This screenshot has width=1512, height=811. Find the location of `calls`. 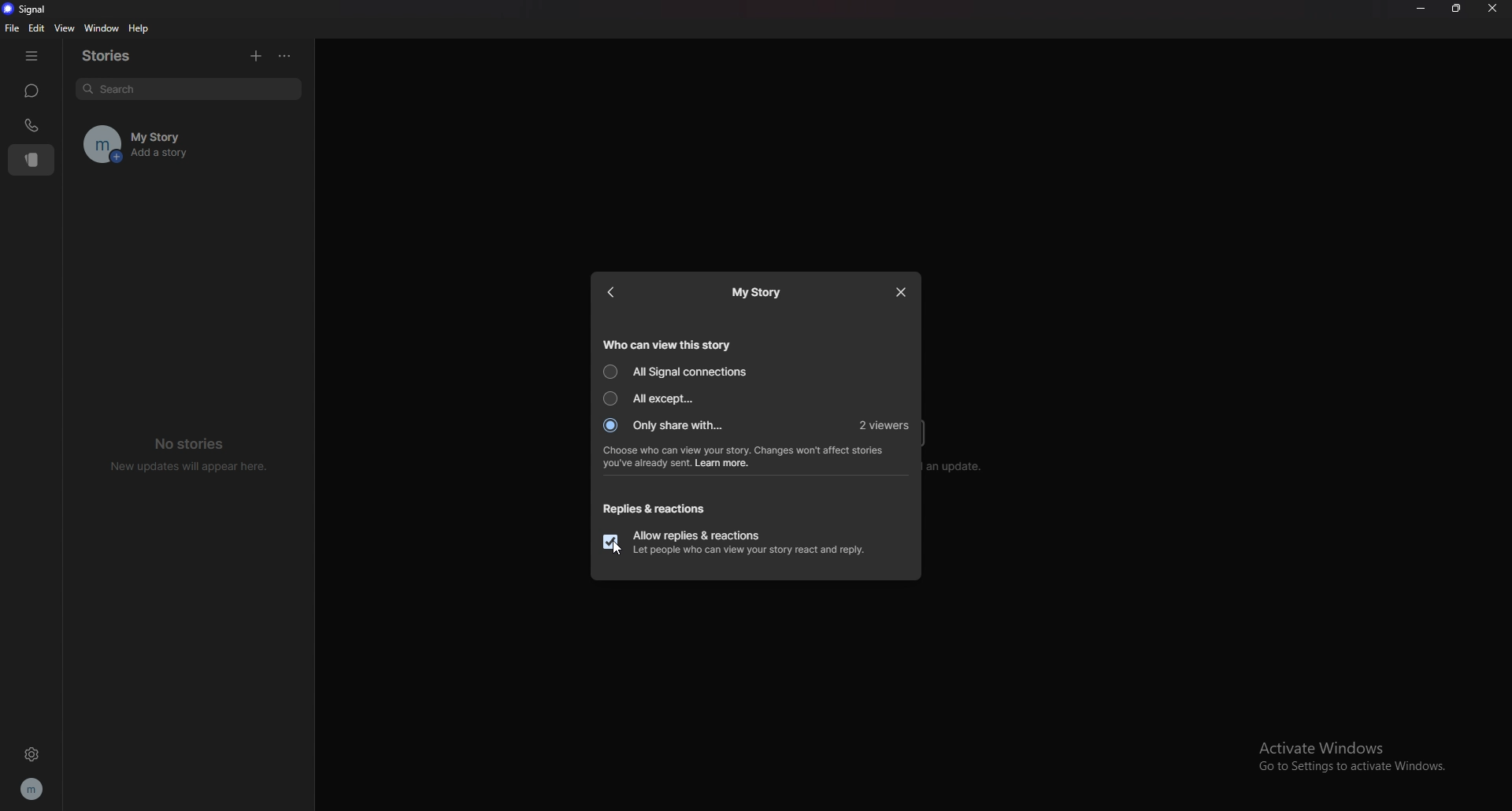

calls is located at coordinates (34, 124).